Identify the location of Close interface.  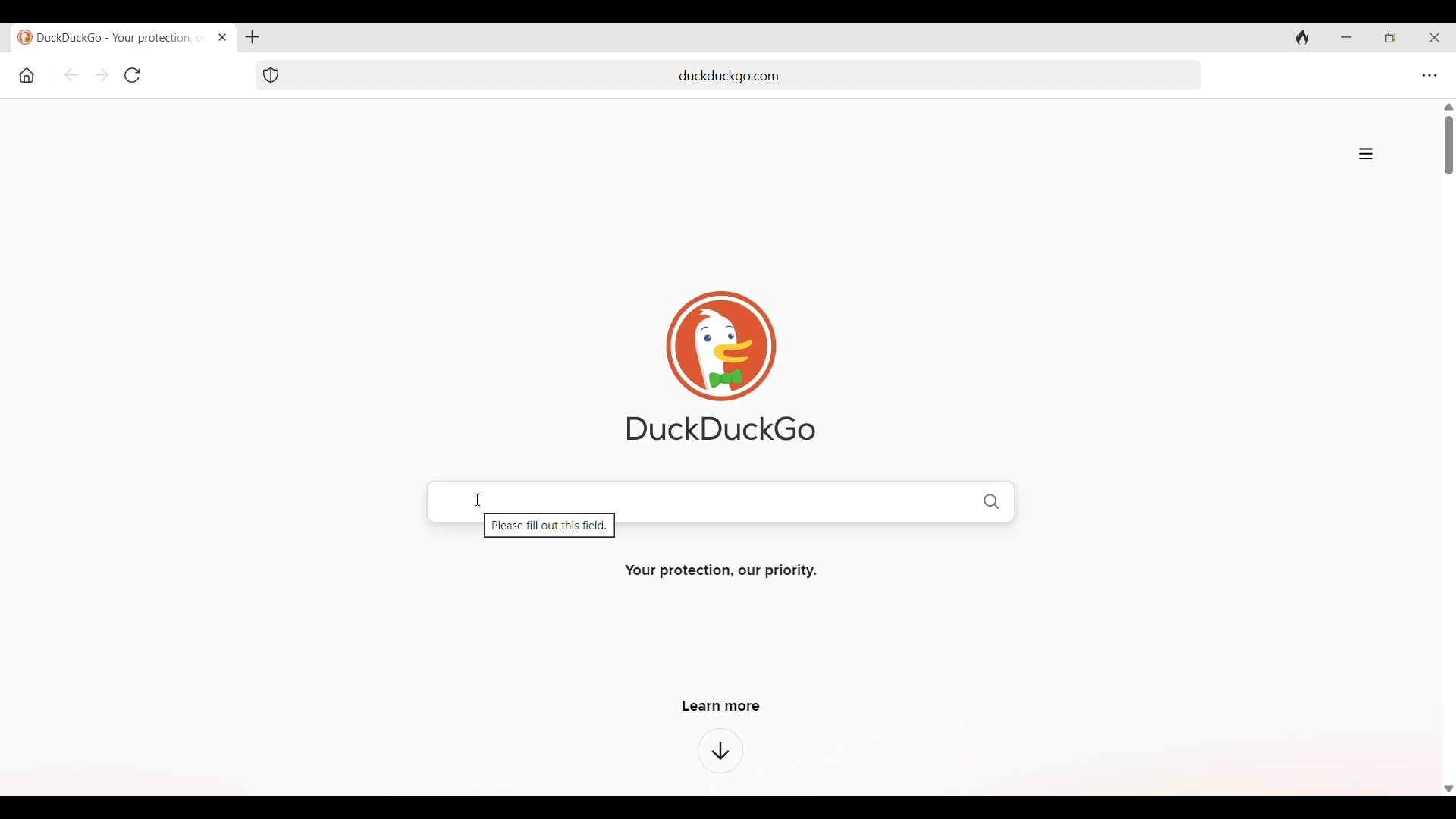
(1434, 37).